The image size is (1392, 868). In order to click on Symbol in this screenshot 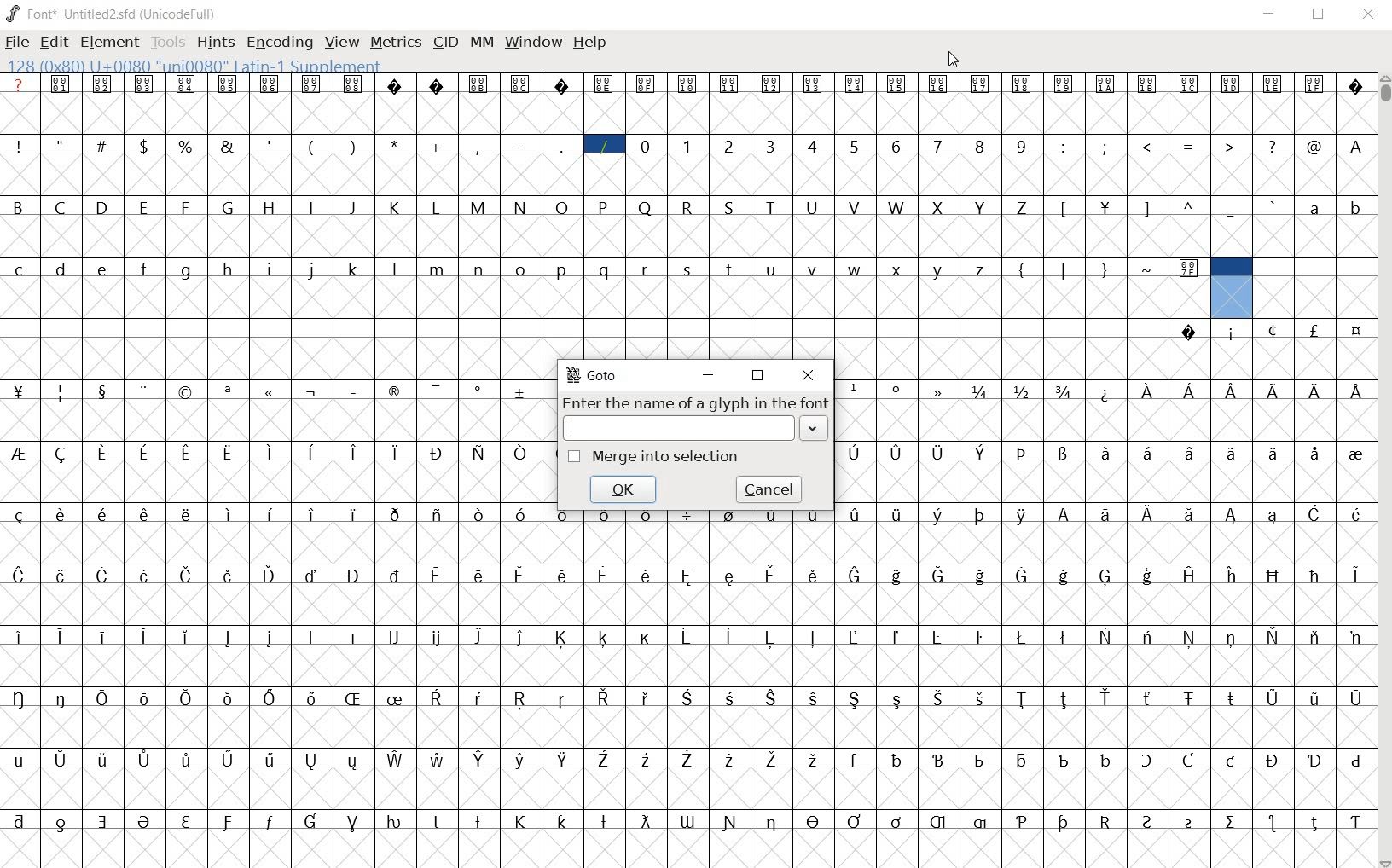, I will do `click(1023, 391)`.